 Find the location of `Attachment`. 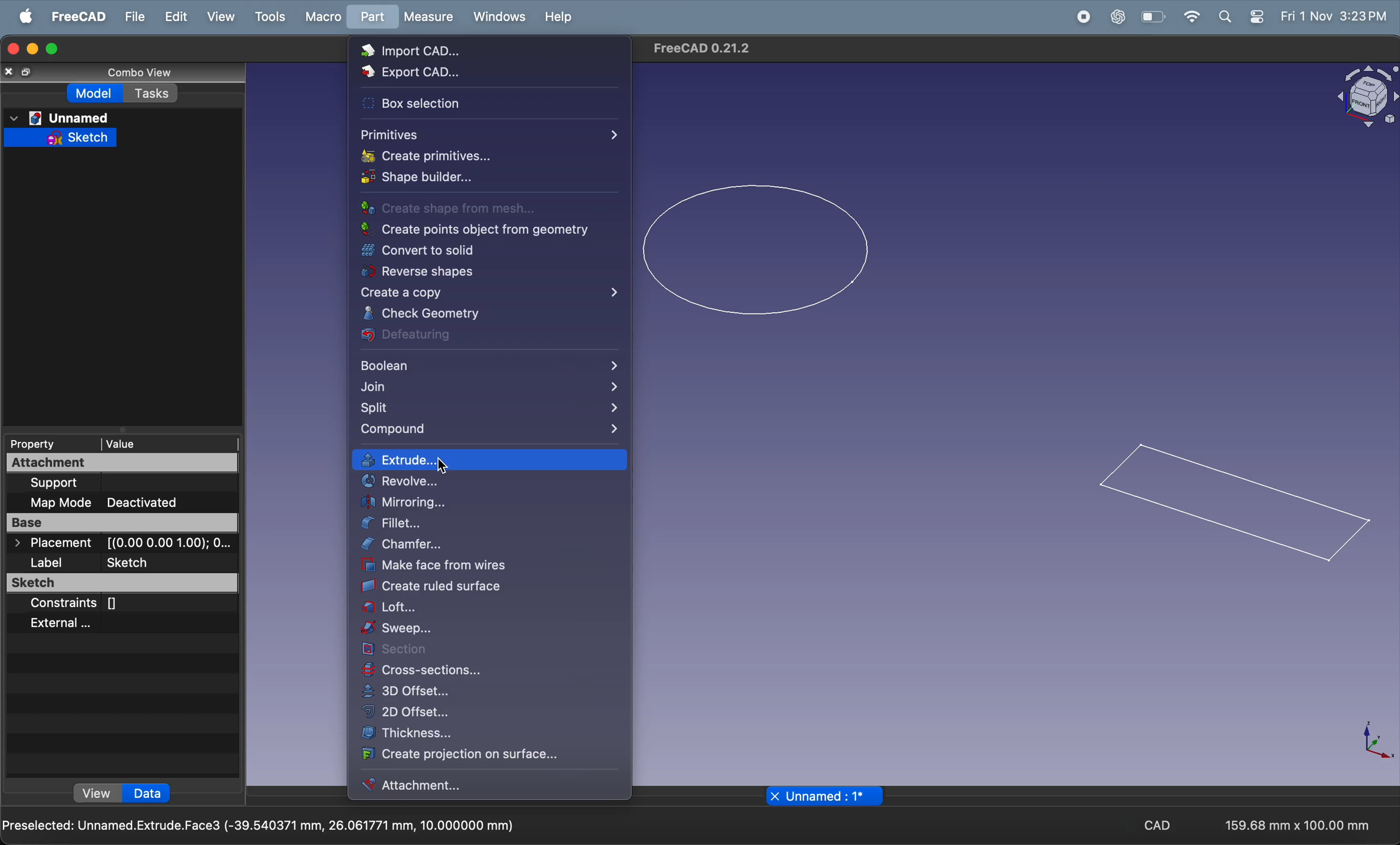

Attachment is located at coordinates (122, 463).